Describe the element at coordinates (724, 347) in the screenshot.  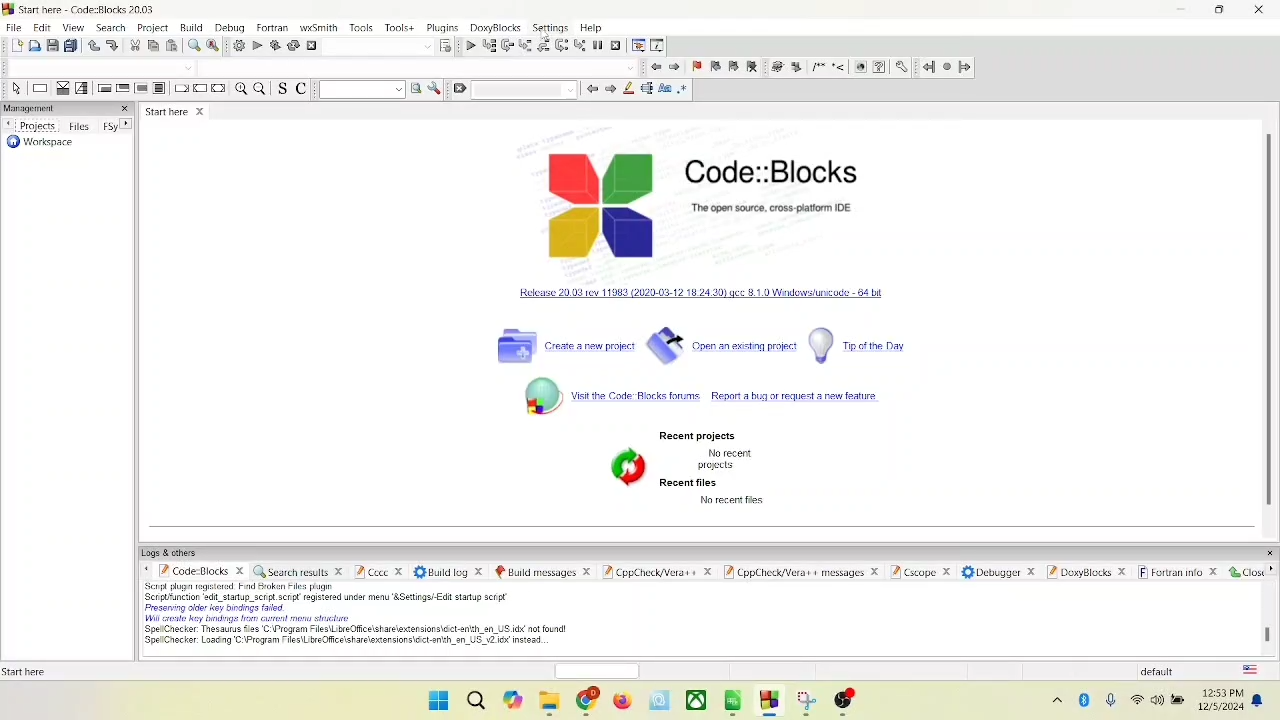
I see `open an existing file` at that location.